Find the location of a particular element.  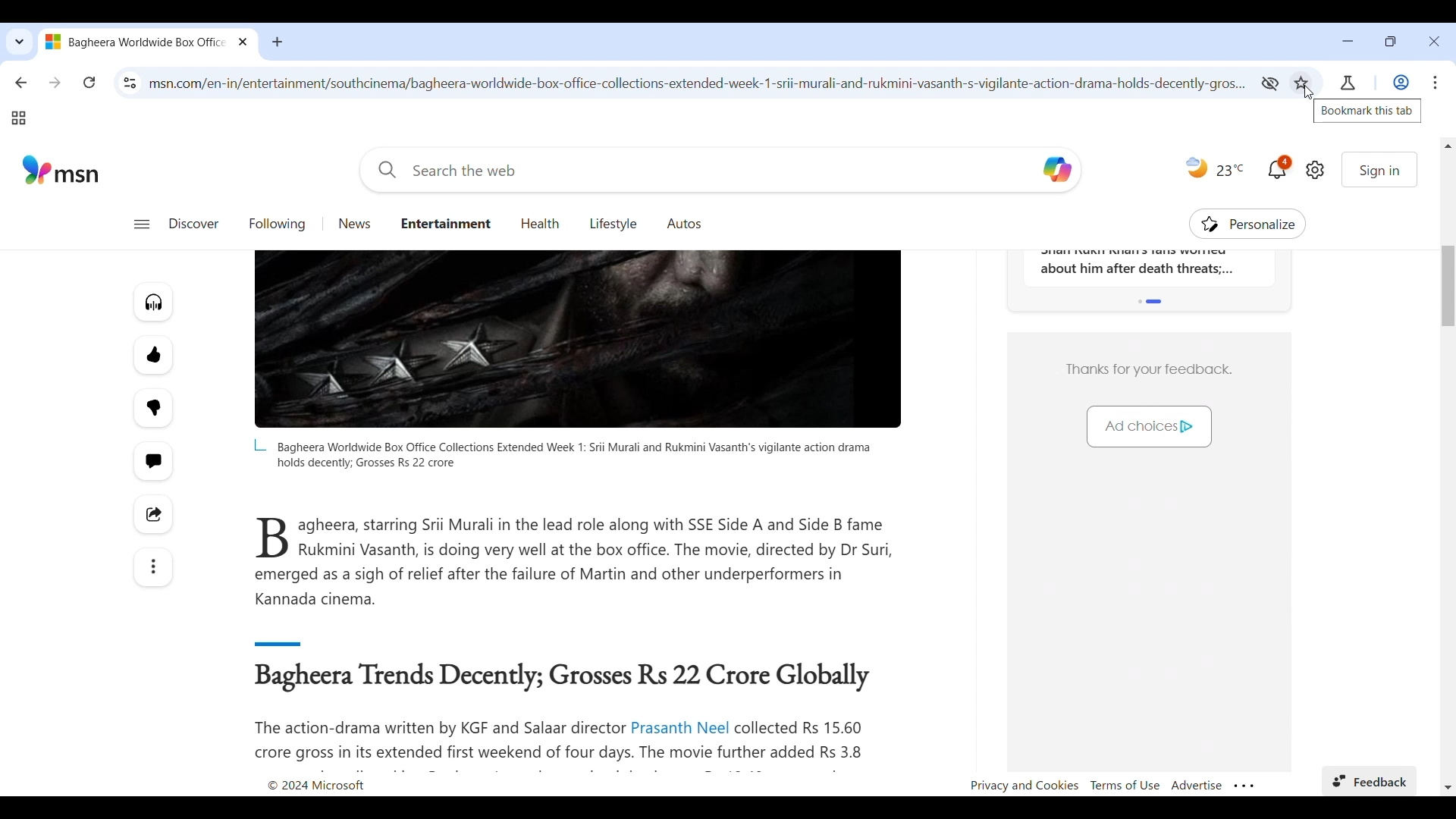

Current temperature is located at coordinates (1231, 170).